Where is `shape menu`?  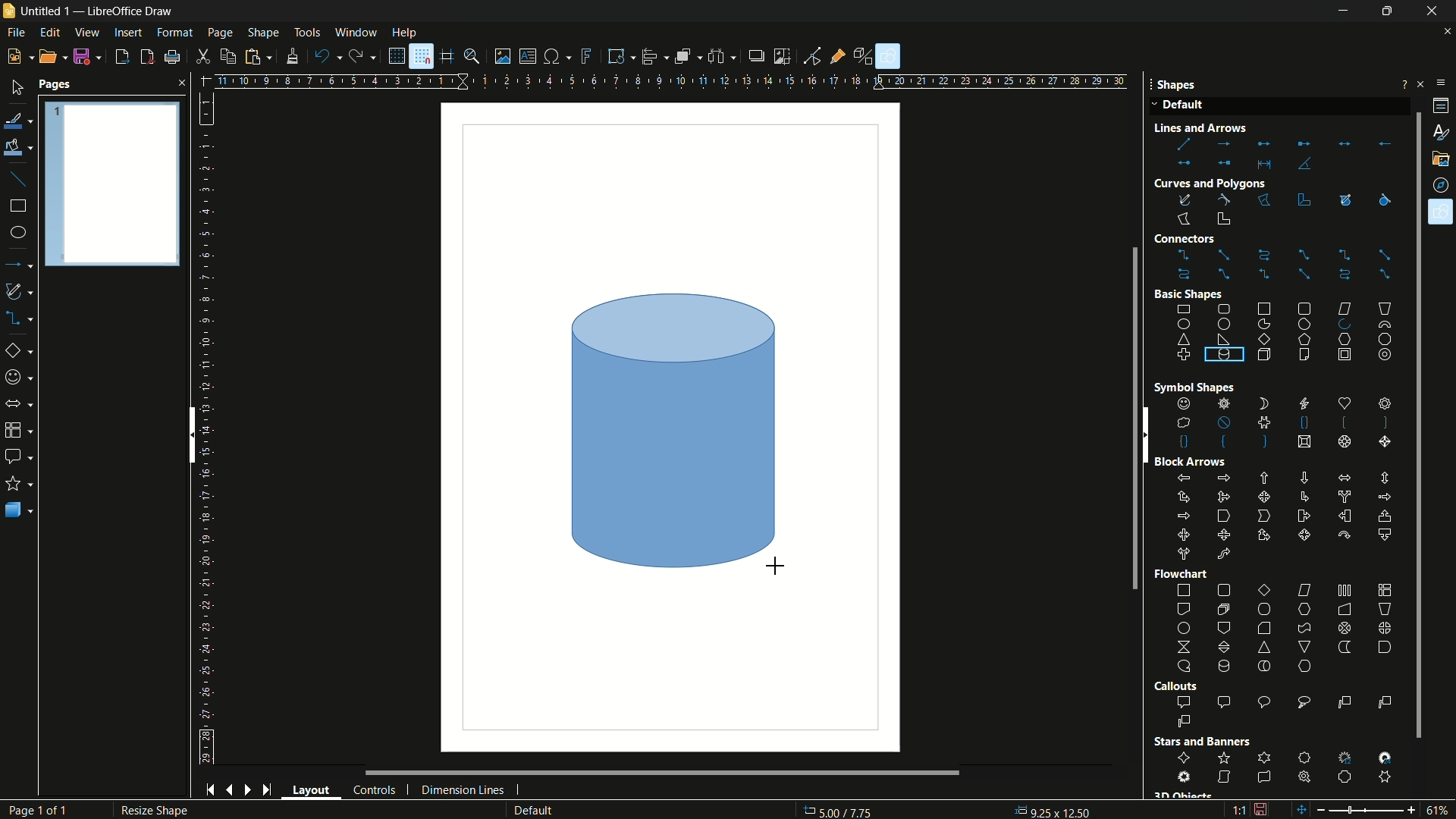
shape menu is located at coordinates (265, 33).